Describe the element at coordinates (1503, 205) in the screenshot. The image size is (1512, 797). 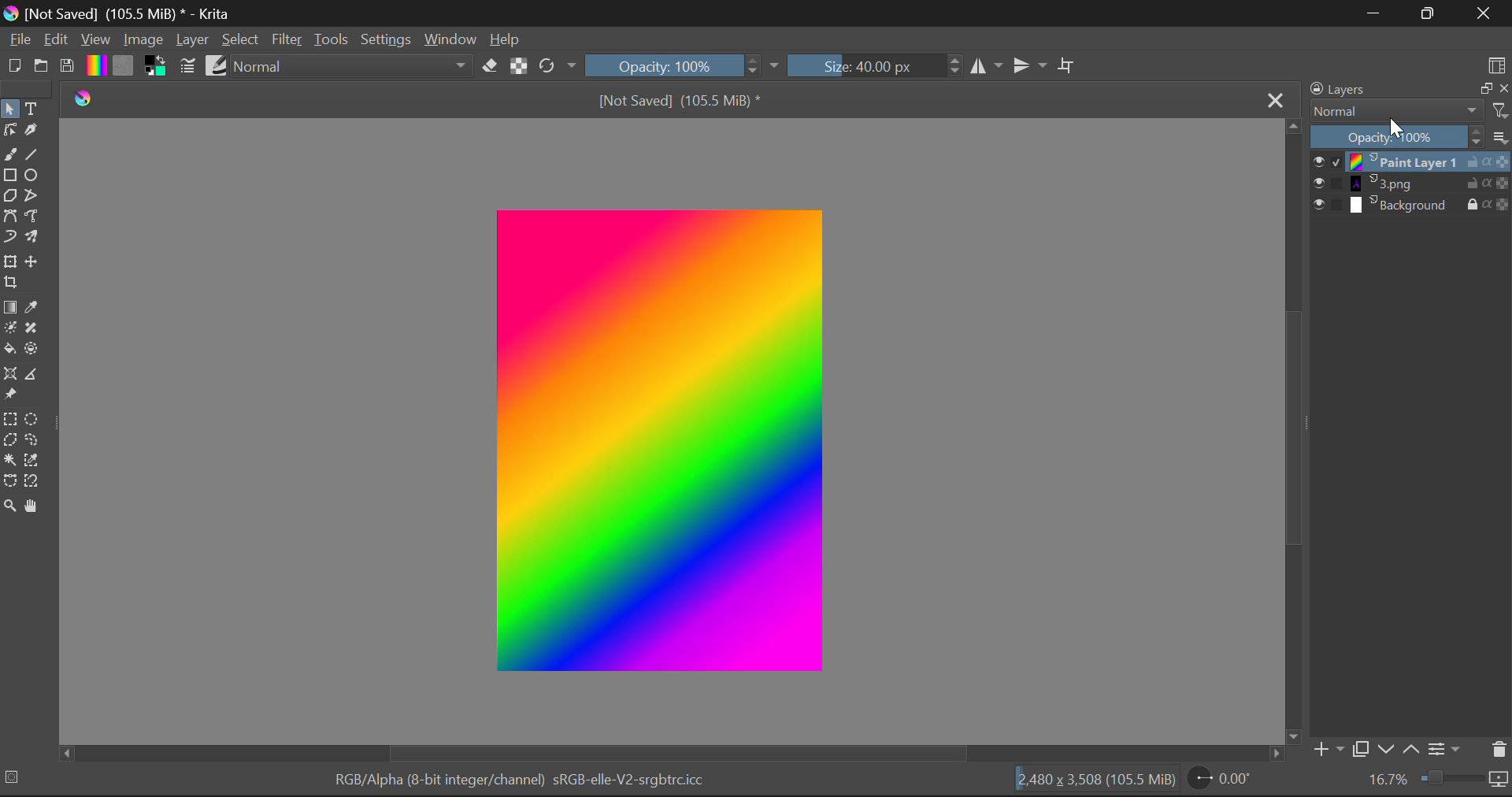
I see `Transparency ` at that location.